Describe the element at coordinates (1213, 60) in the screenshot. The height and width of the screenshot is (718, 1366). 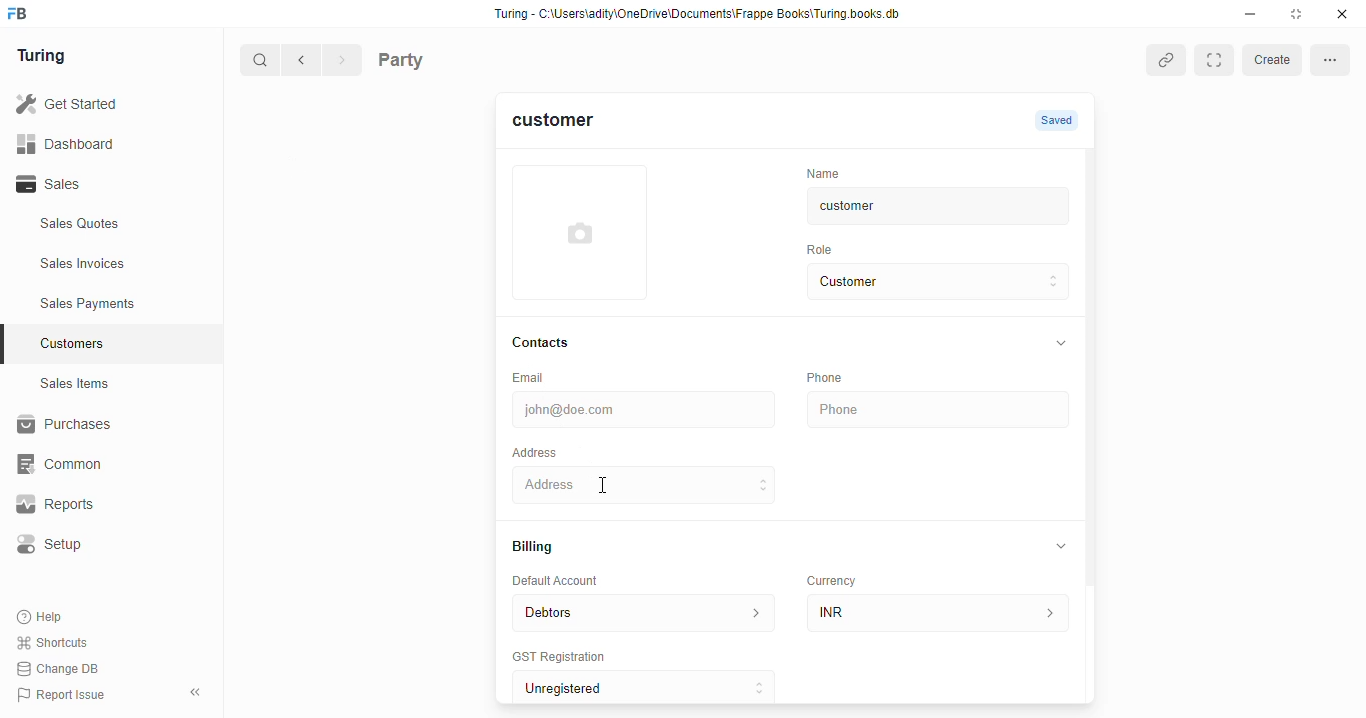
I see `Expand` at that location.